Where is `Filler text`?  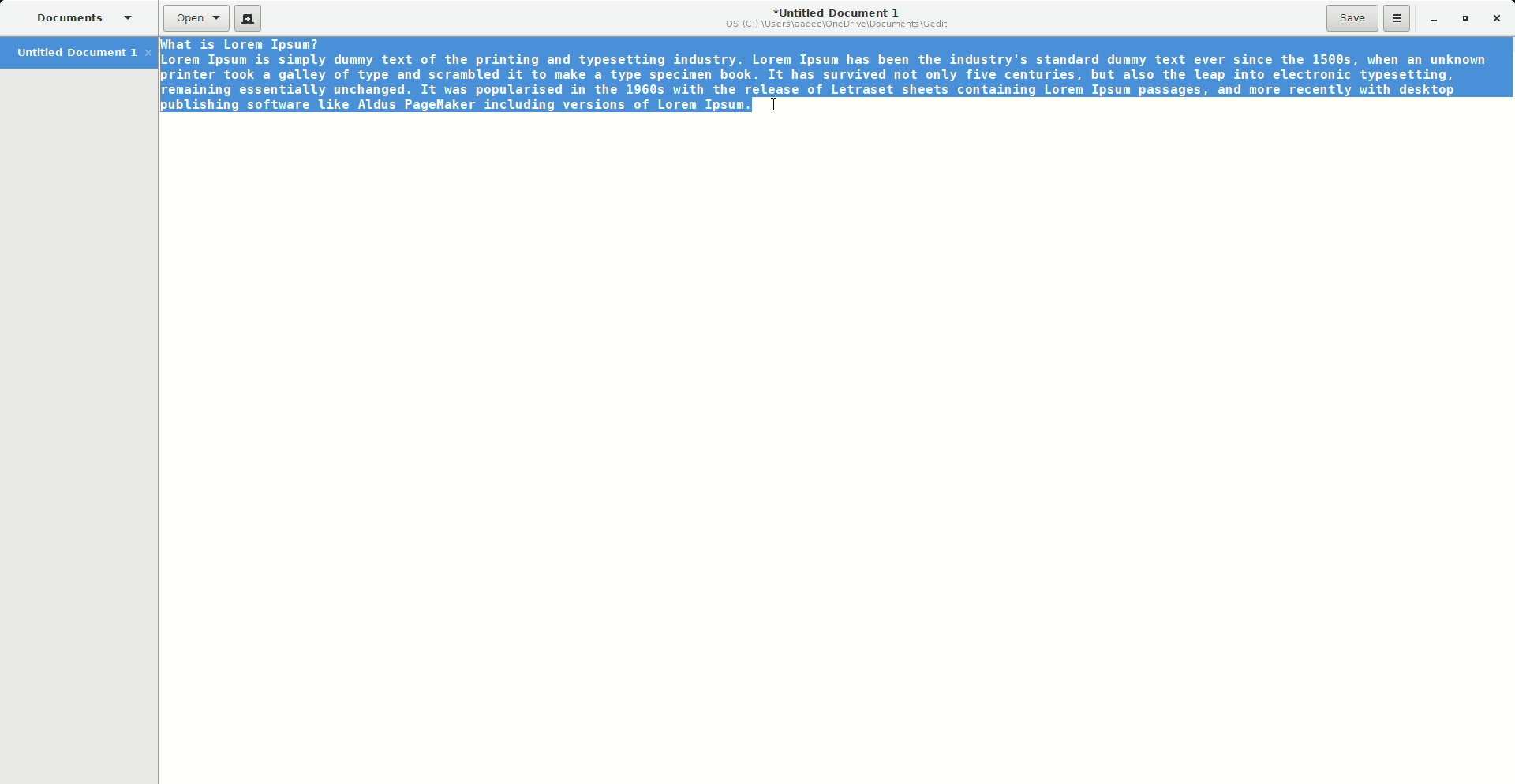
Filler text is located at coordinates (824, 75).